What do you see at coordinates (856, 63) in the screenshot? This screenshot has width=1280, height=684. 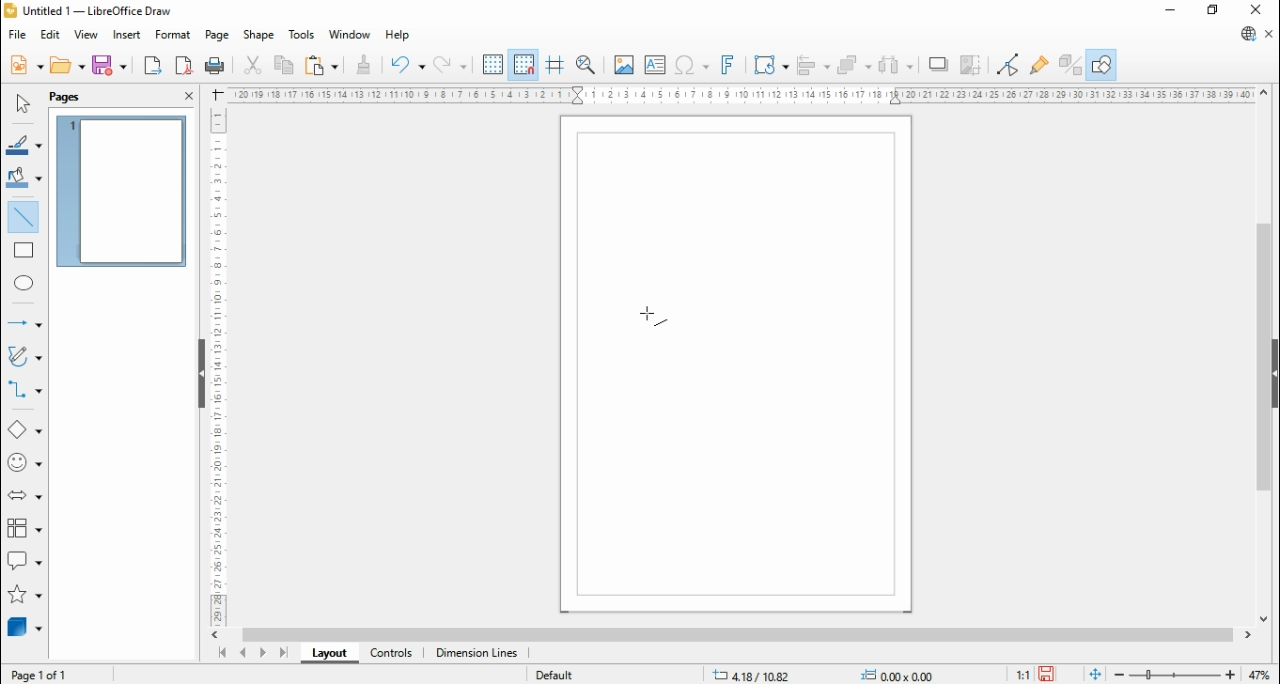 I see `arrange` at bounding box center [856, 63].